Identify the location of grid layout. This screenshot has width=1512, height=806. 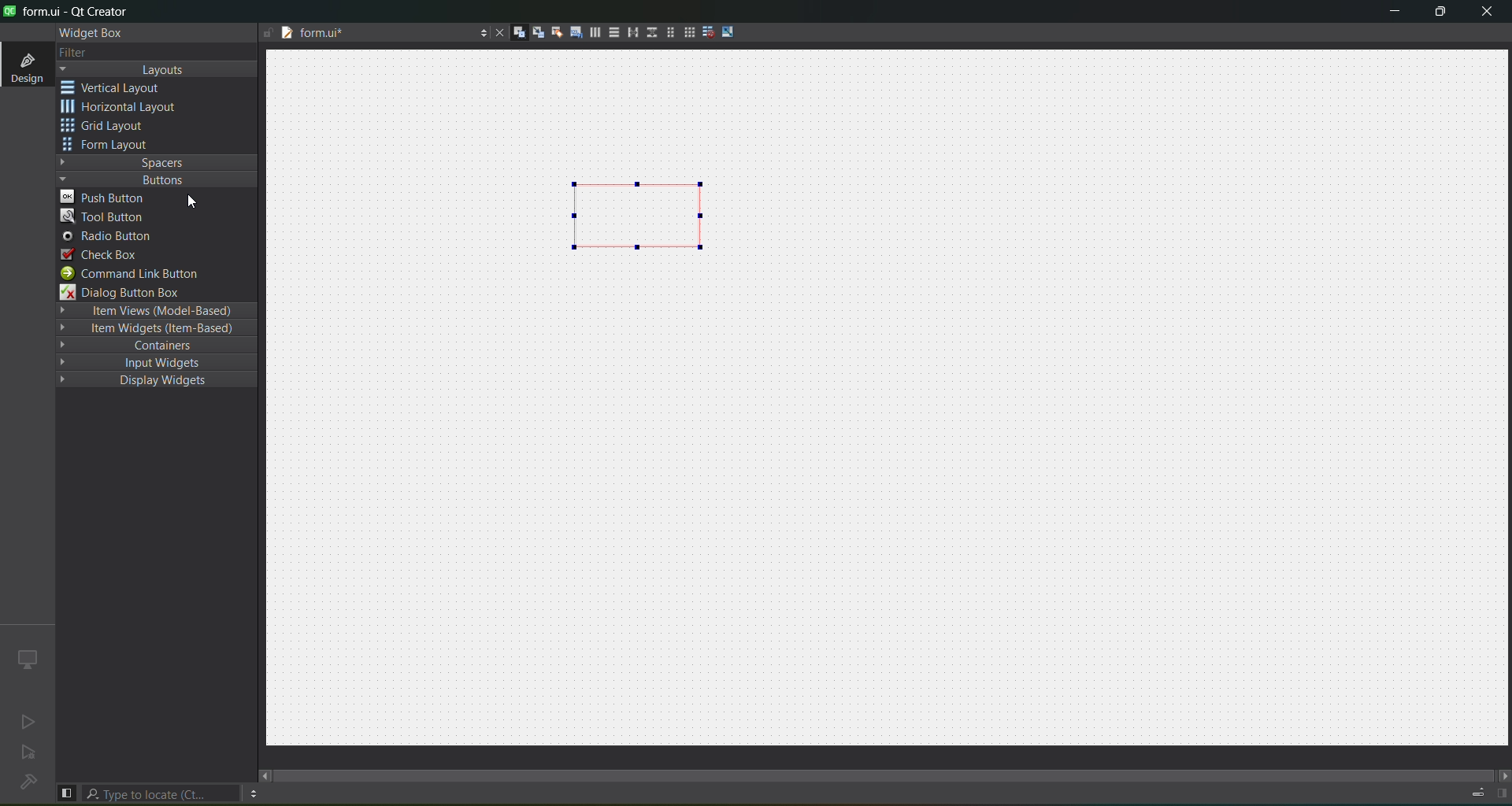
(108, 128).